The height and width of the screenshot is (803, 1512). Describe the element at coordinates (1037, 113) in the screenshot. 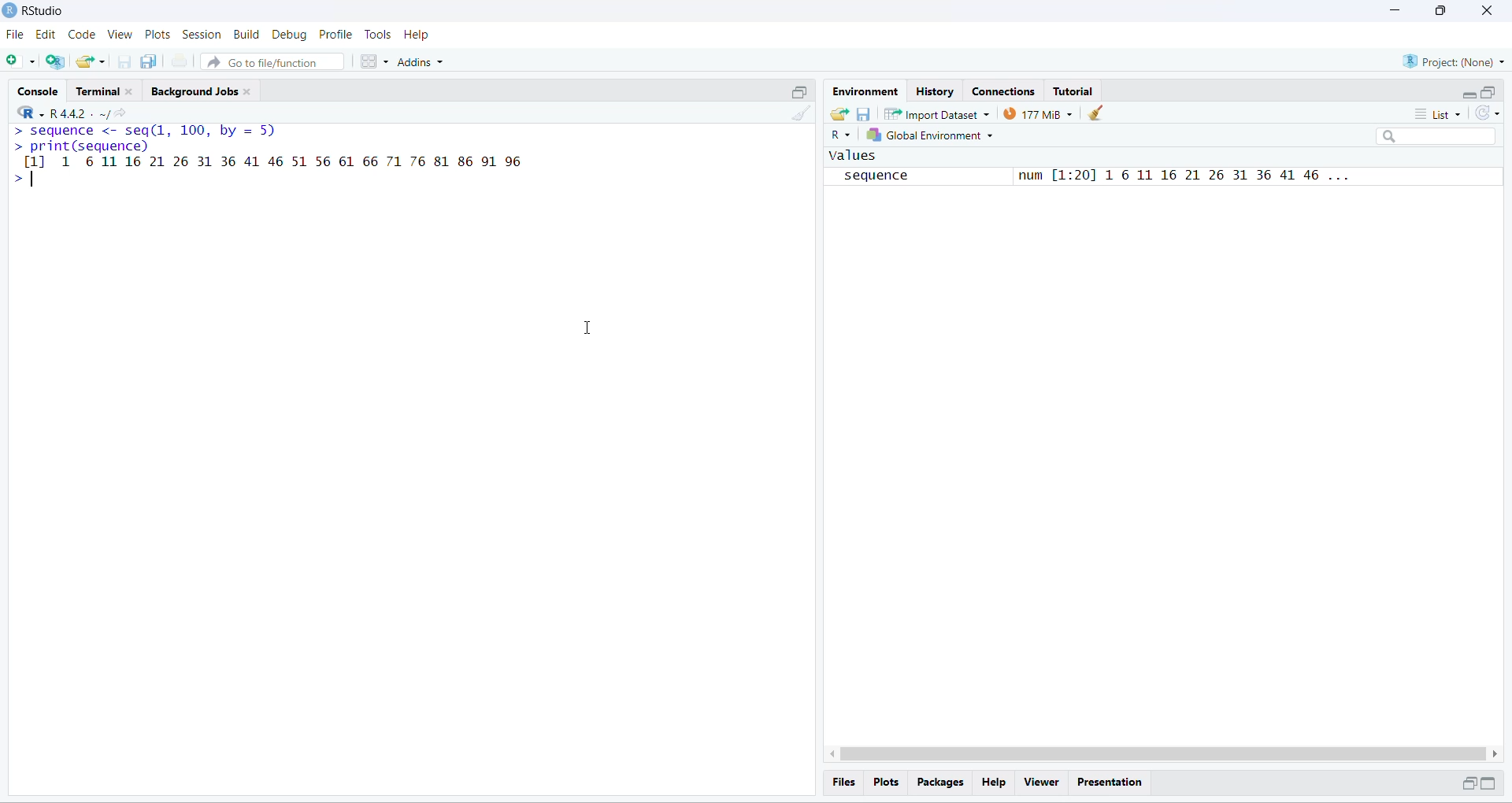

I see `143 MiB` at that location.